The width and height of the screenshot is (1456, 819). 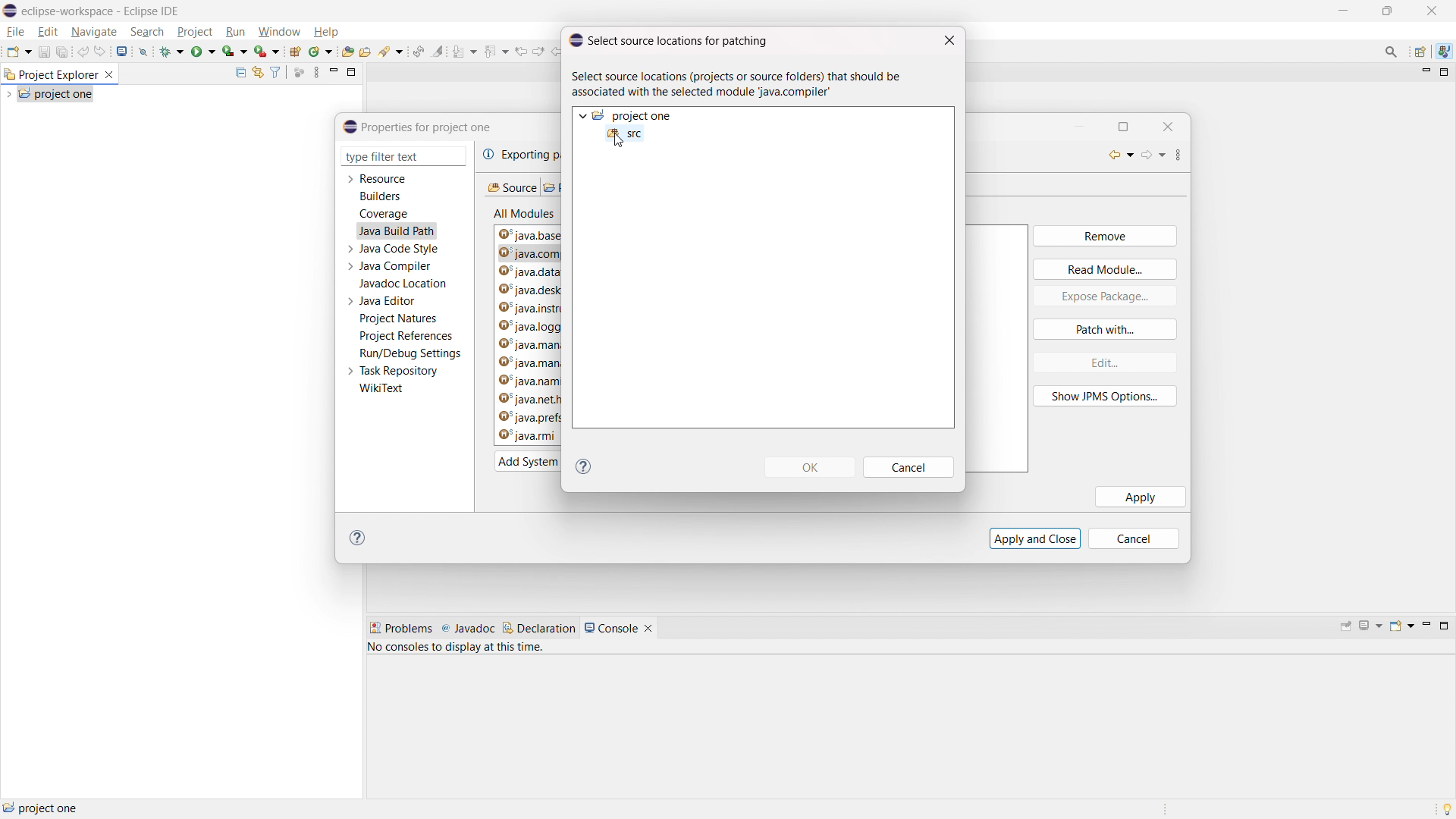 I want to click on project one, so click(x=42, y=808).